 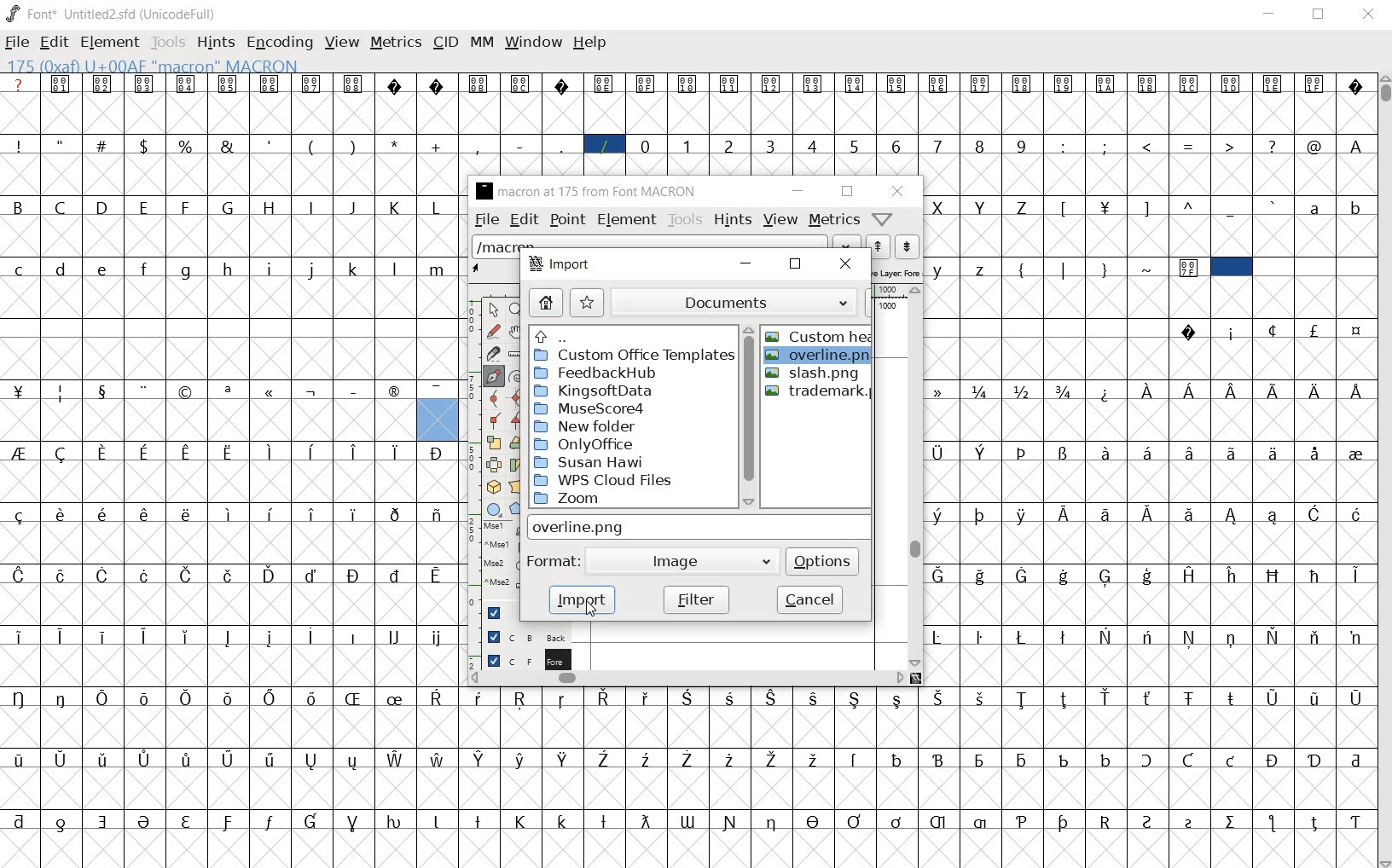 I want to click on Symbol, so click(x=1354, y=83).